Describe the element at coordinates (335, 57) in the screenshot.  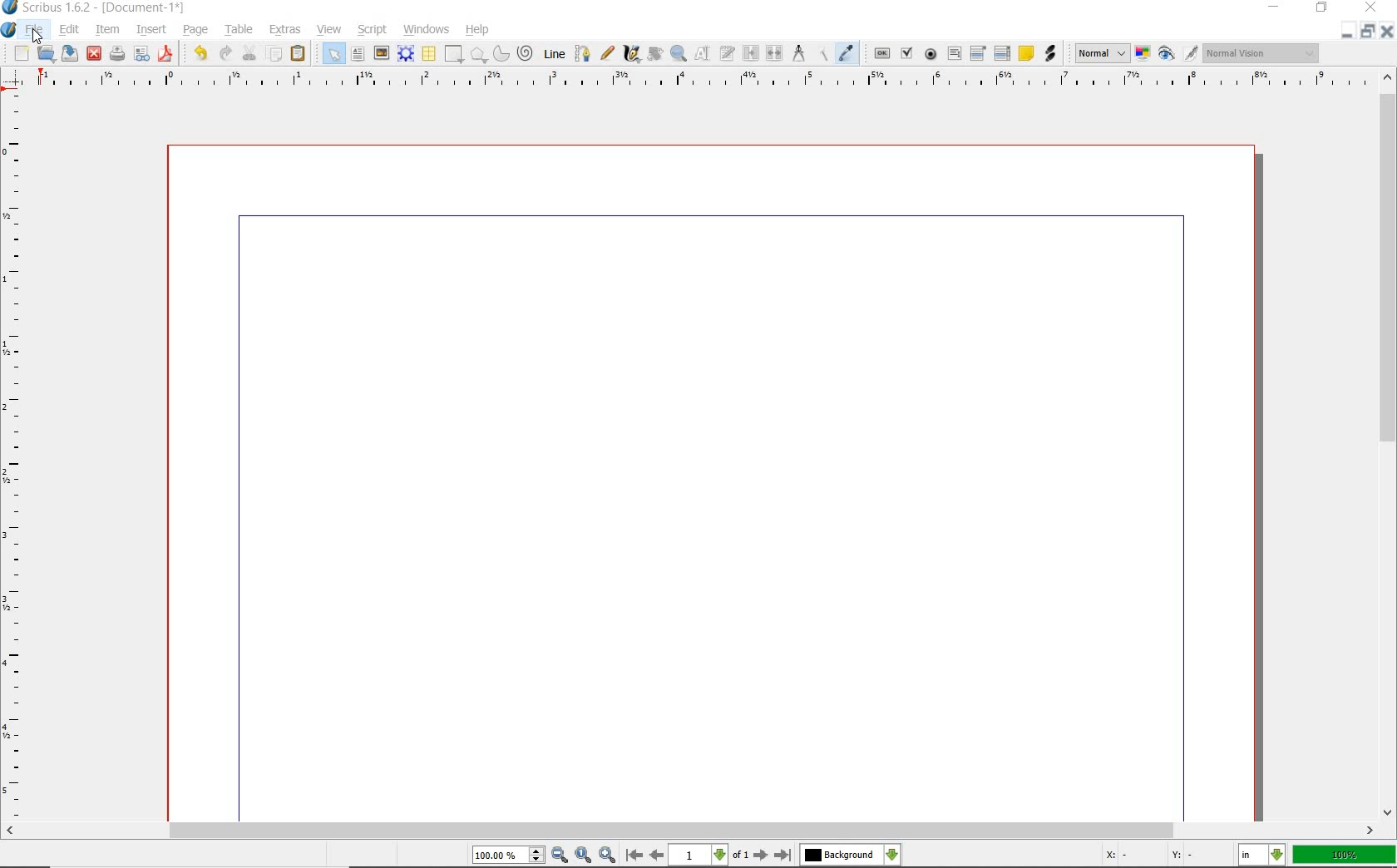
I see `select` at that location.